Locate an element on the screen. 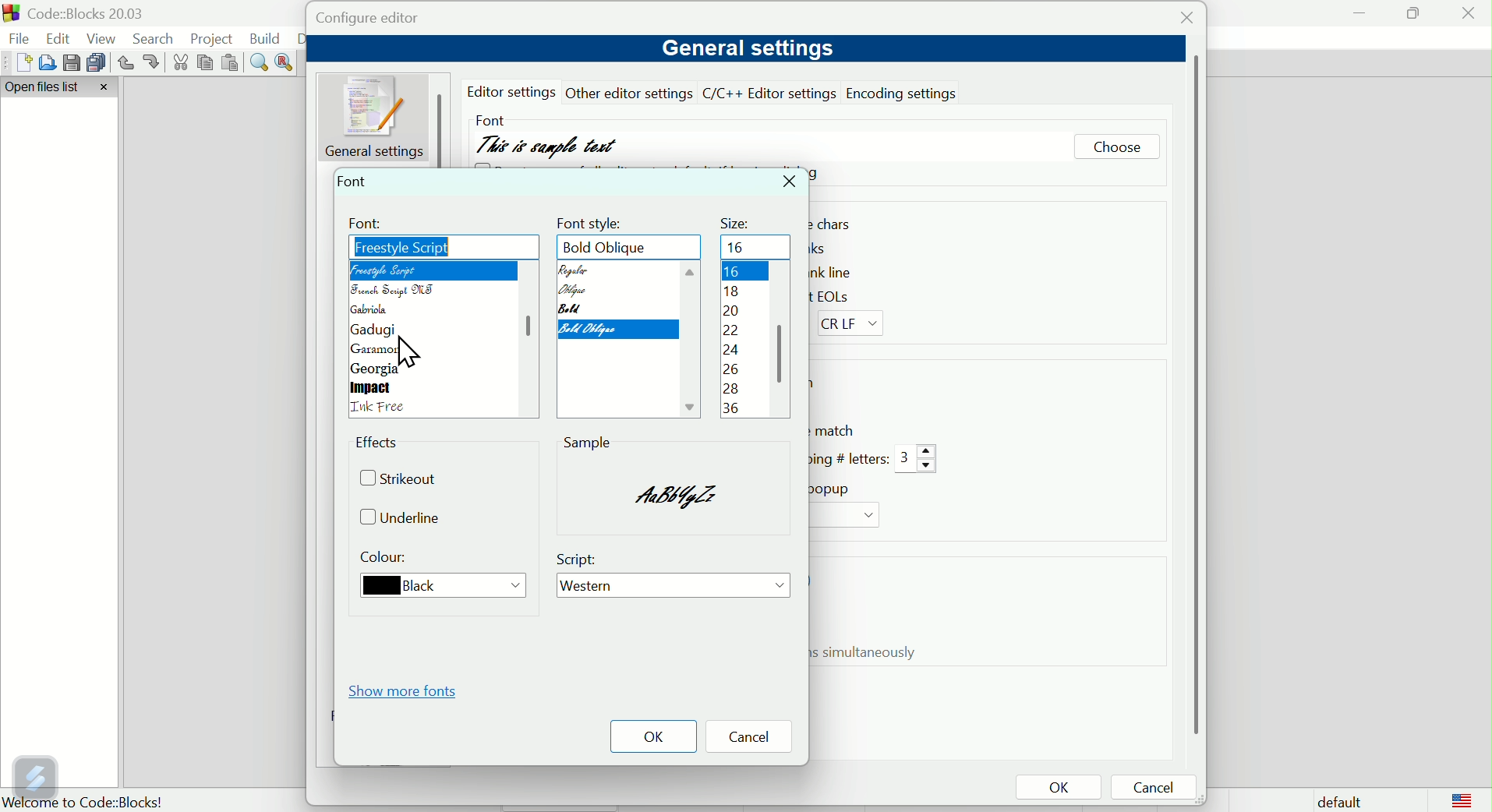 This screenshot has width=1492, height=812. maximise is located at coordinates (1412, 12).